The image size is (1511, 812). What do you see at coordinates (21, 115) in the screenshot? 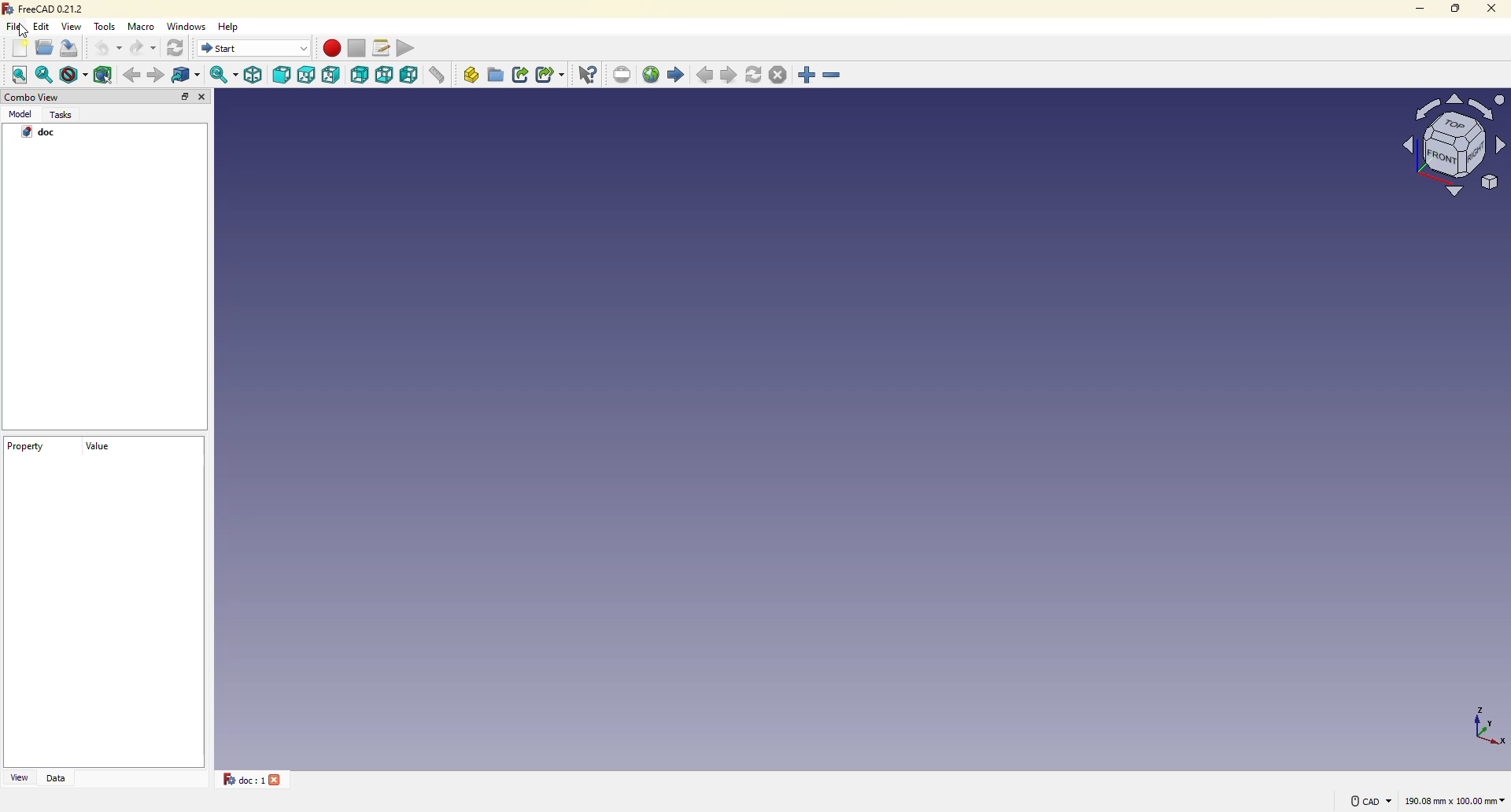
I see `model` at bounding box center [21, 115].